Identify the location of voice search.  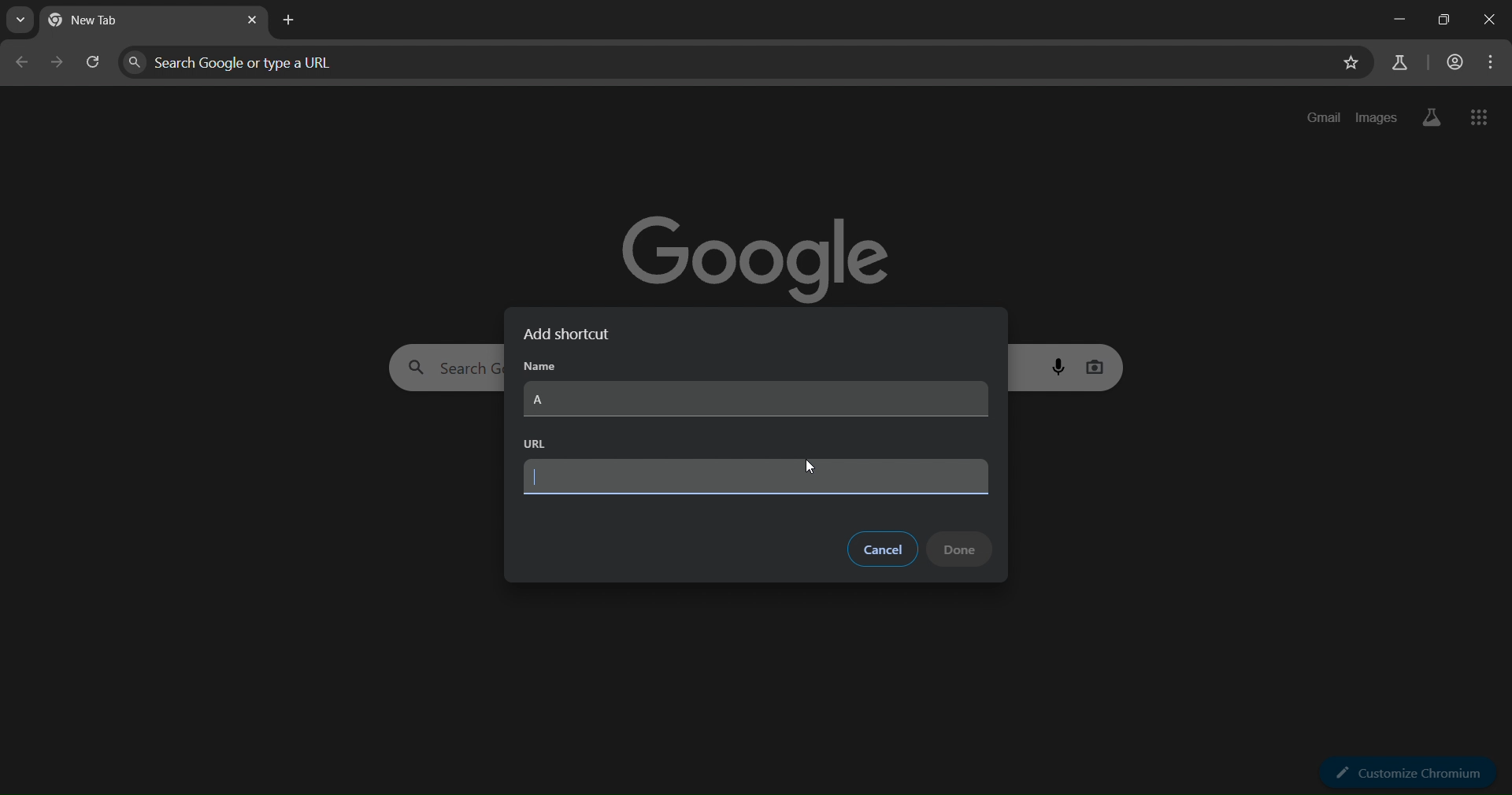
(1061, 366).